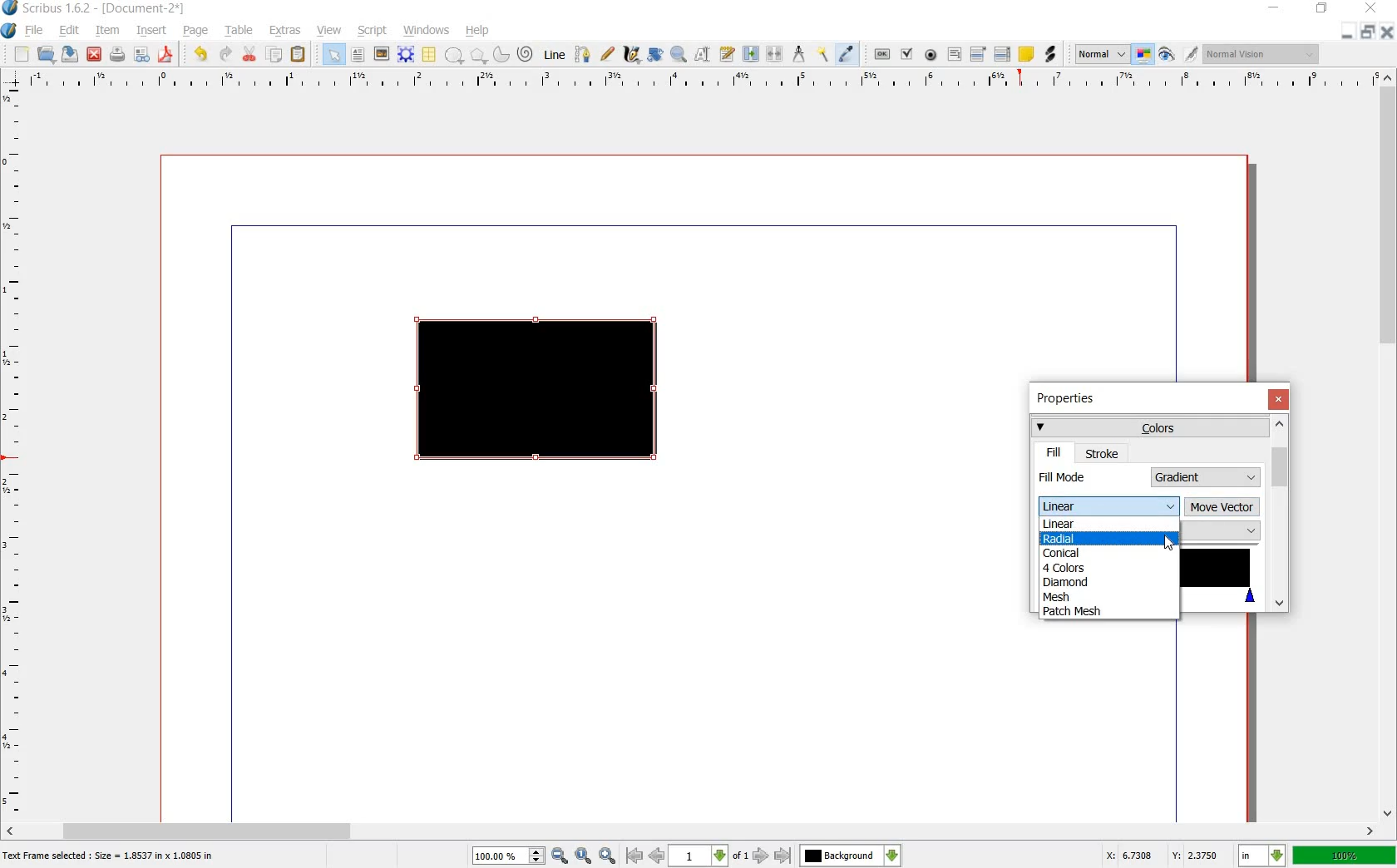  Describe the element at coordinates (692, 830) in the screenshot. I see `scroll bar` at that location.